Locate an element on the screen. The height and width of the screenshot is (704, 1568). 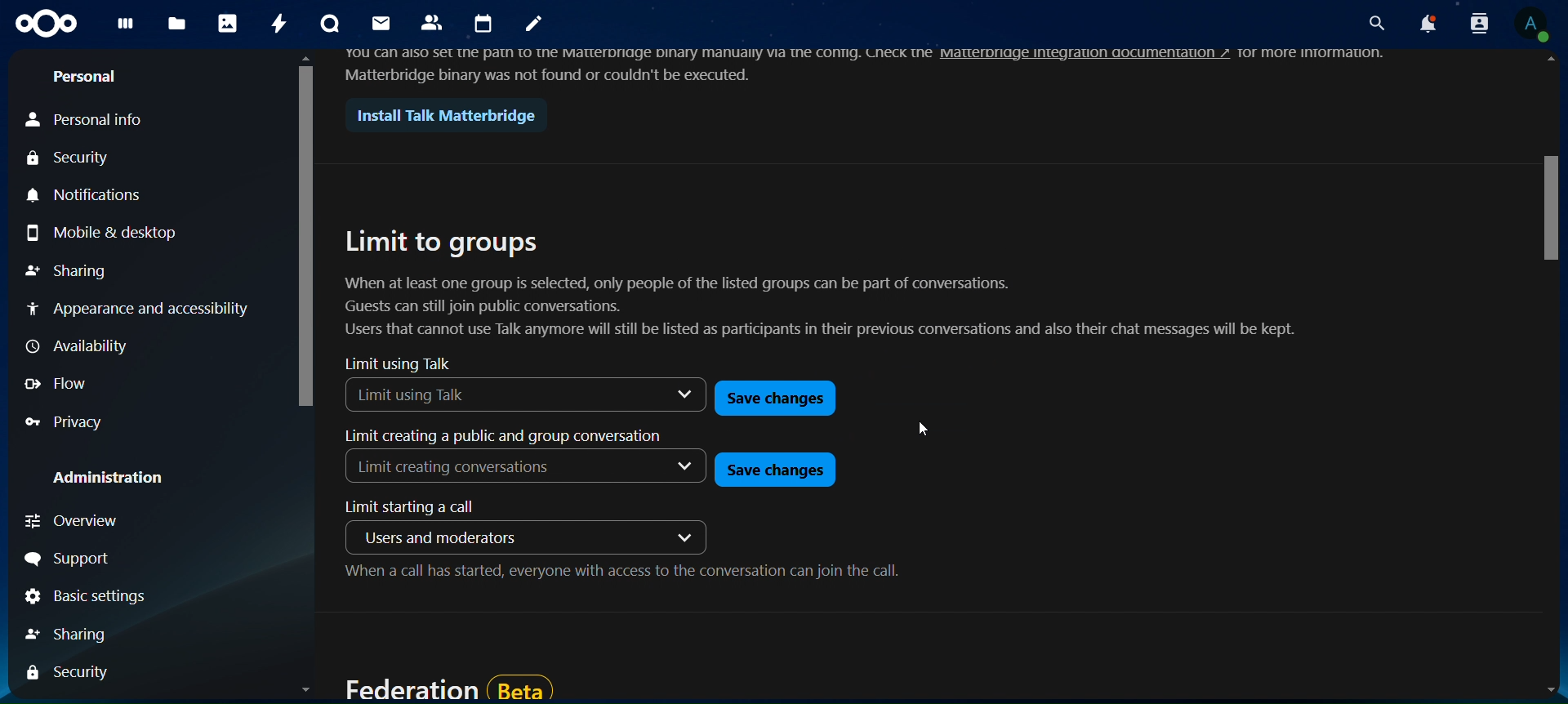
notes is located at coordinates (536, 25).